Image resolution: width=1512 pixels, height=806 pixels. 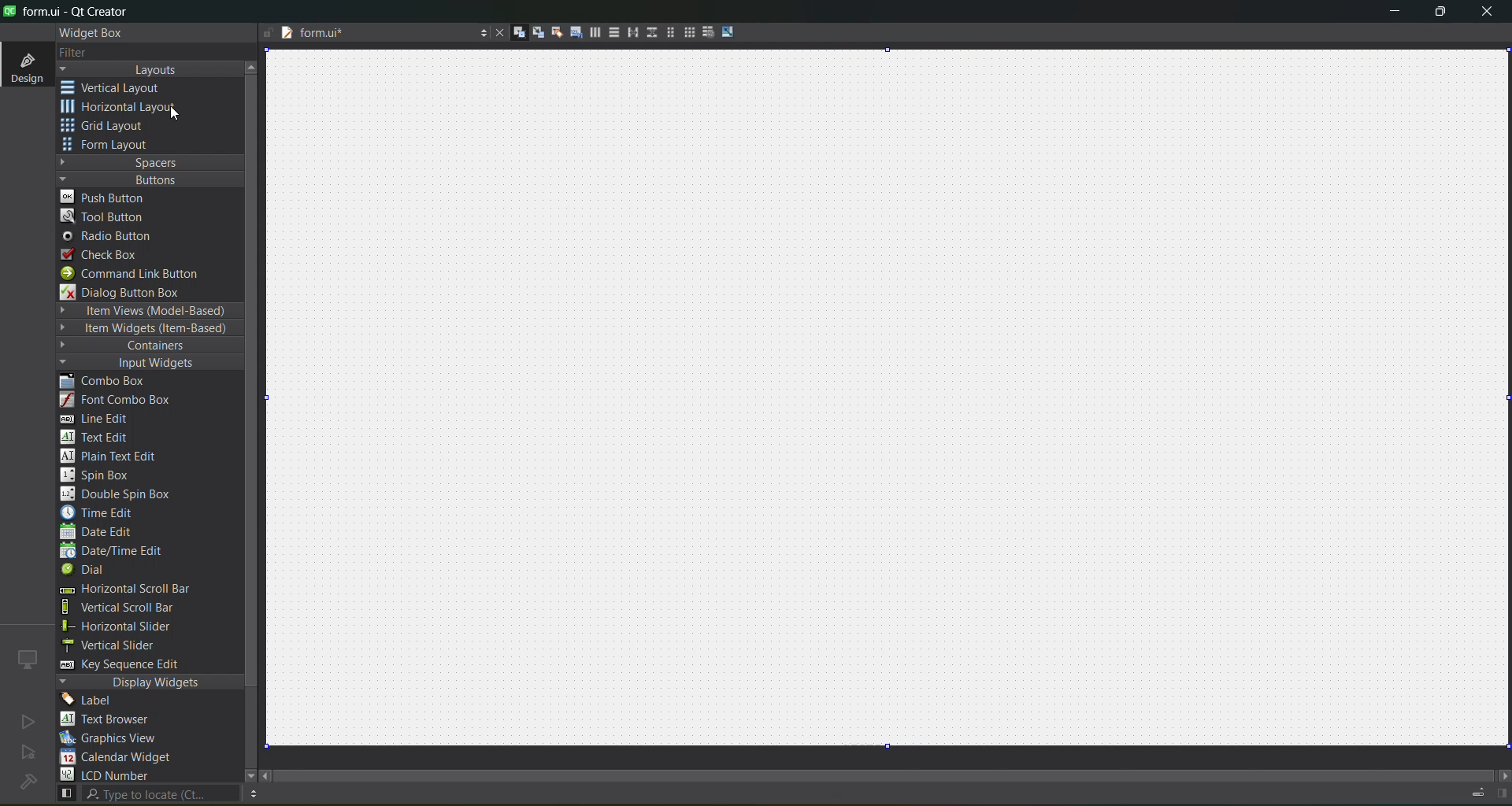 What do you see at coordinates (135, 608) in the screenshot?
I see `vertical scroll bar` at bounding box center [135, 608].